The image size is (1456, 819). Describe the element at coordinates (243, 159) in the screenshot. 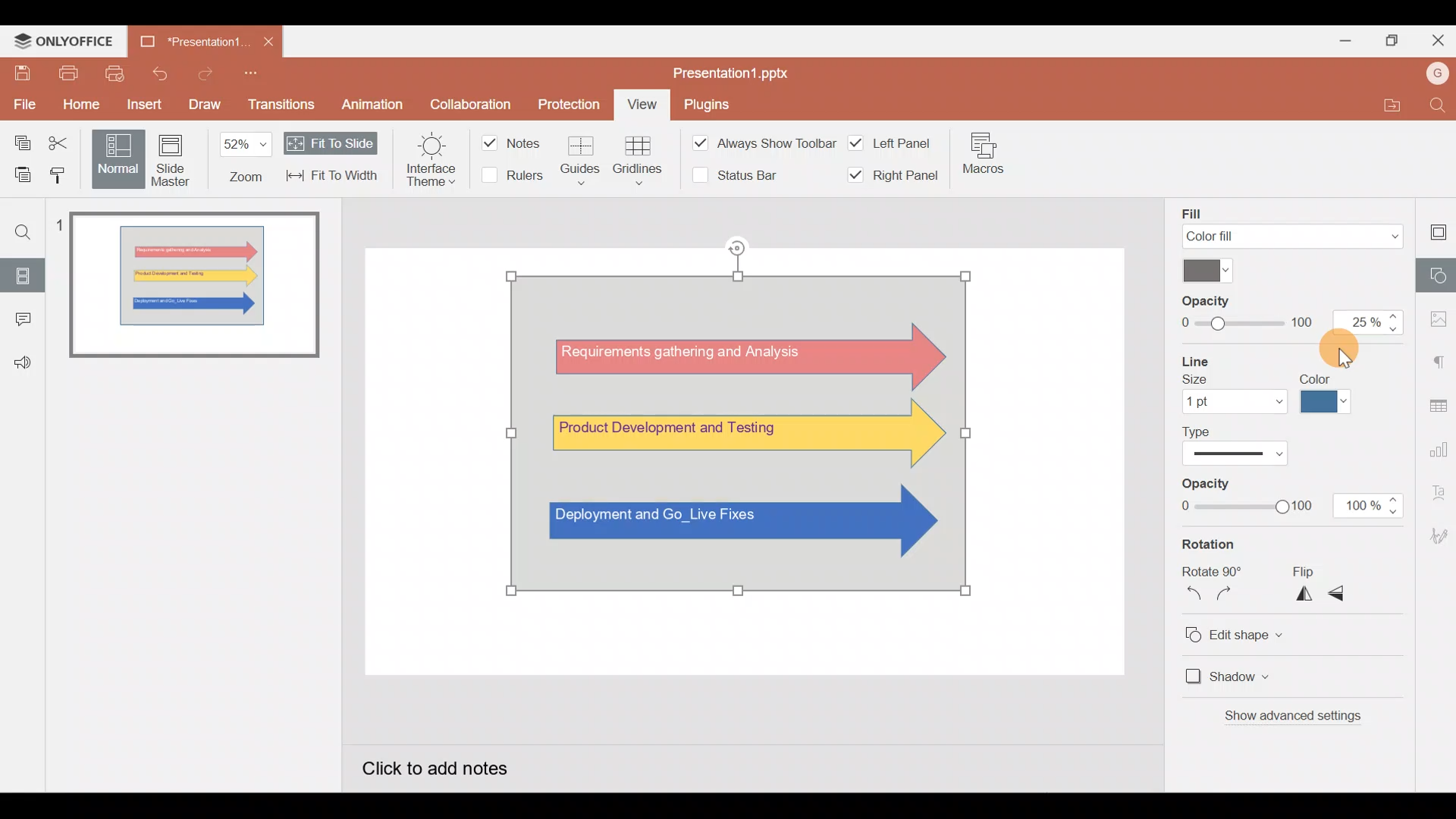

I see `Zoom` at that location.